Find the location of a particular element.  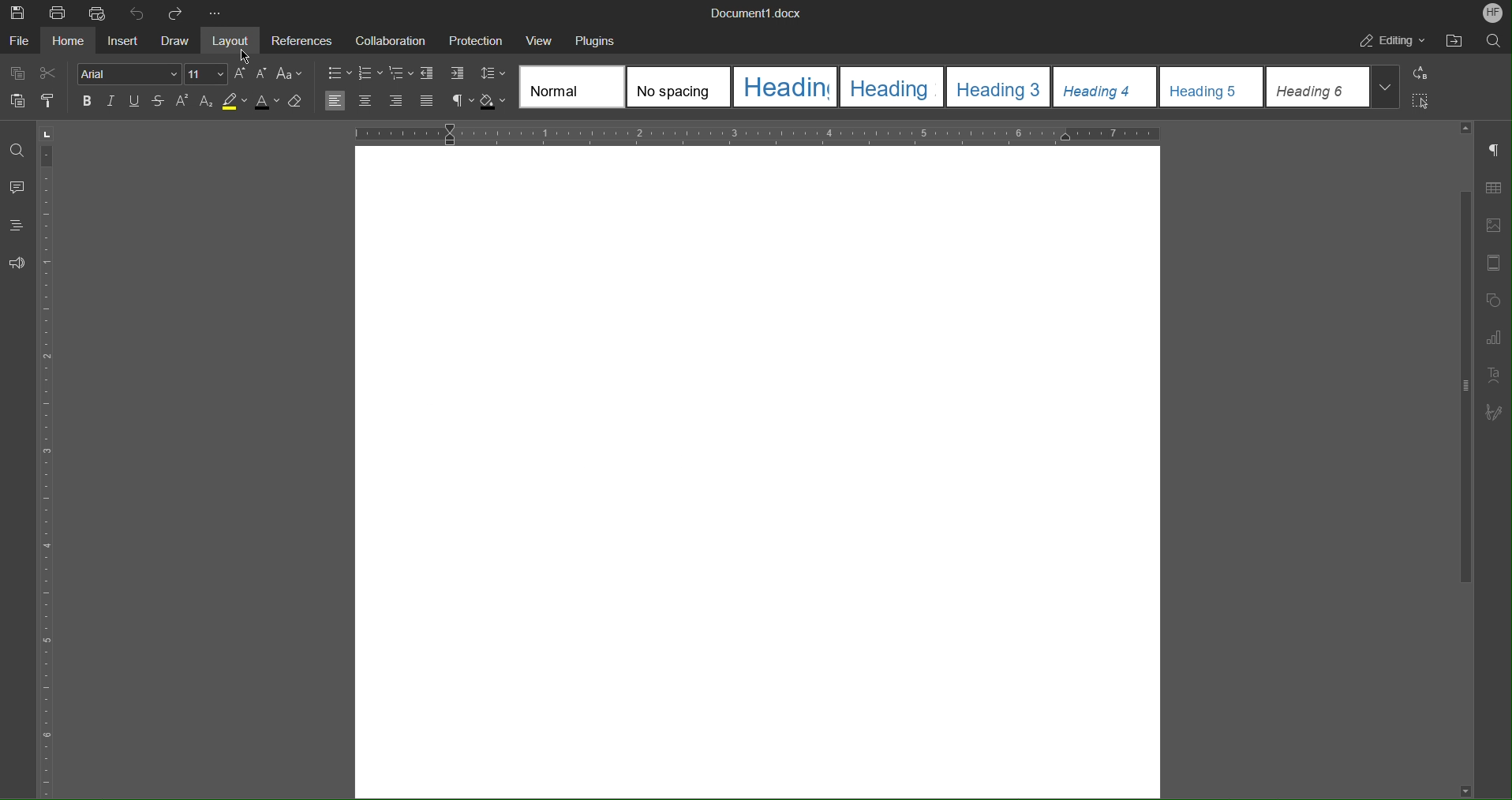

Text Art is located at coordinates (1491, 376).